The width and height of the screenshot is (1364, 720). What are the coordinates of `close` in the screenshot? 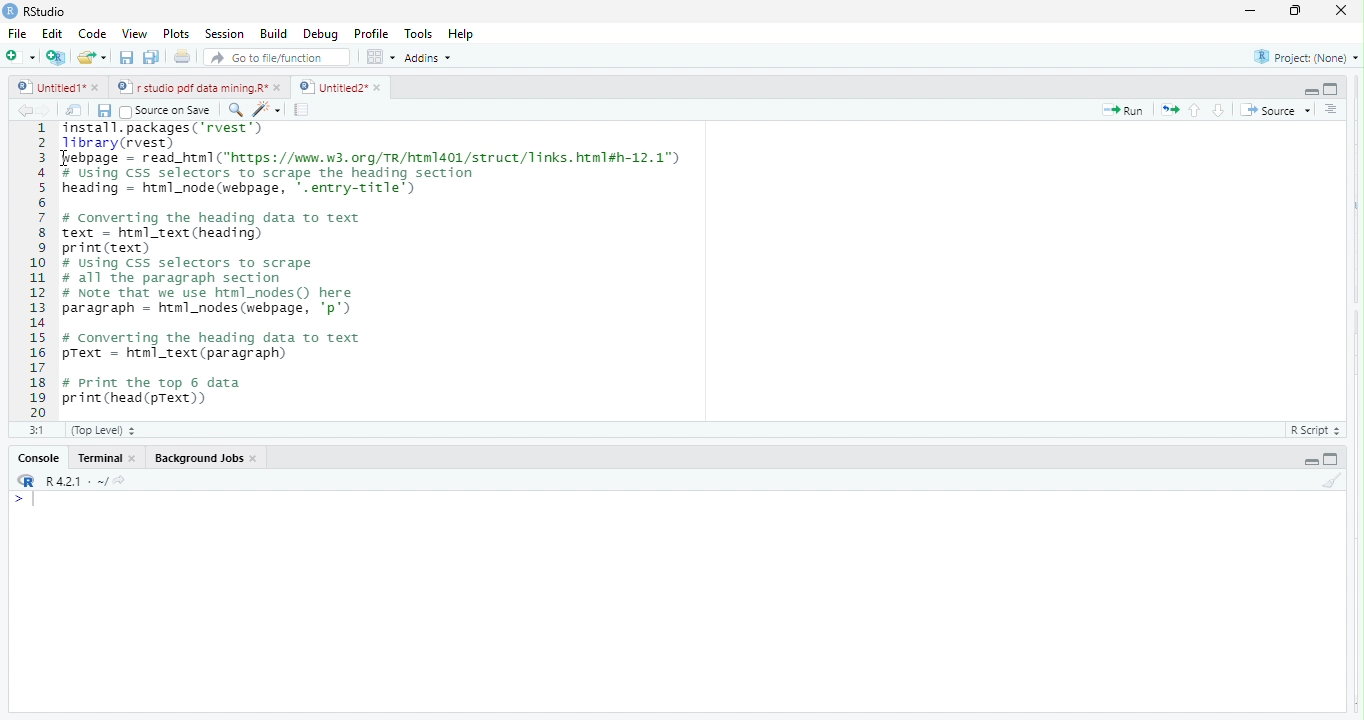 It's located at (137, 460).